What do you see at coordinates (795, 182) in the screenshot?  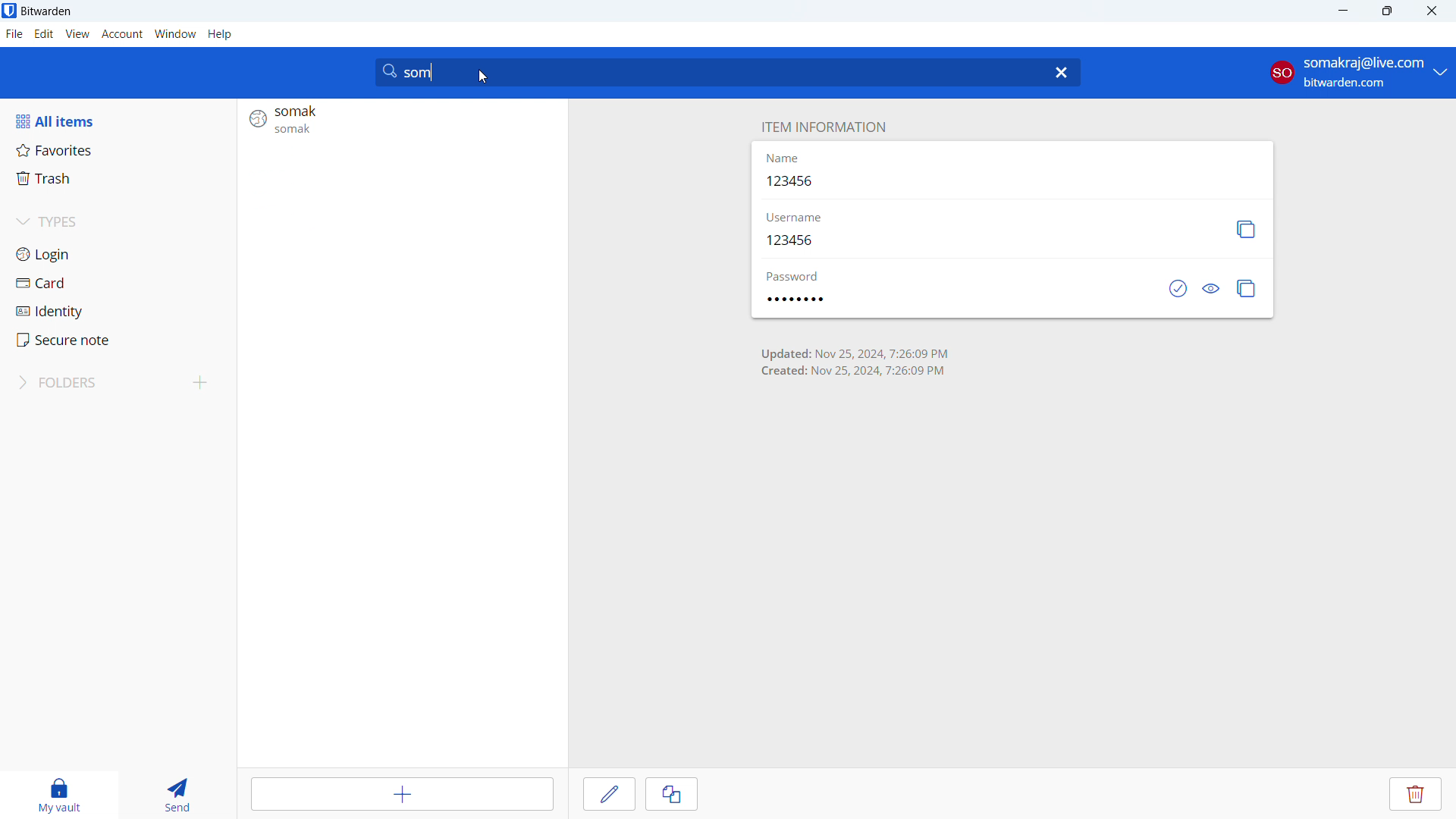 I see `123456` at bounding box center [795, 182].